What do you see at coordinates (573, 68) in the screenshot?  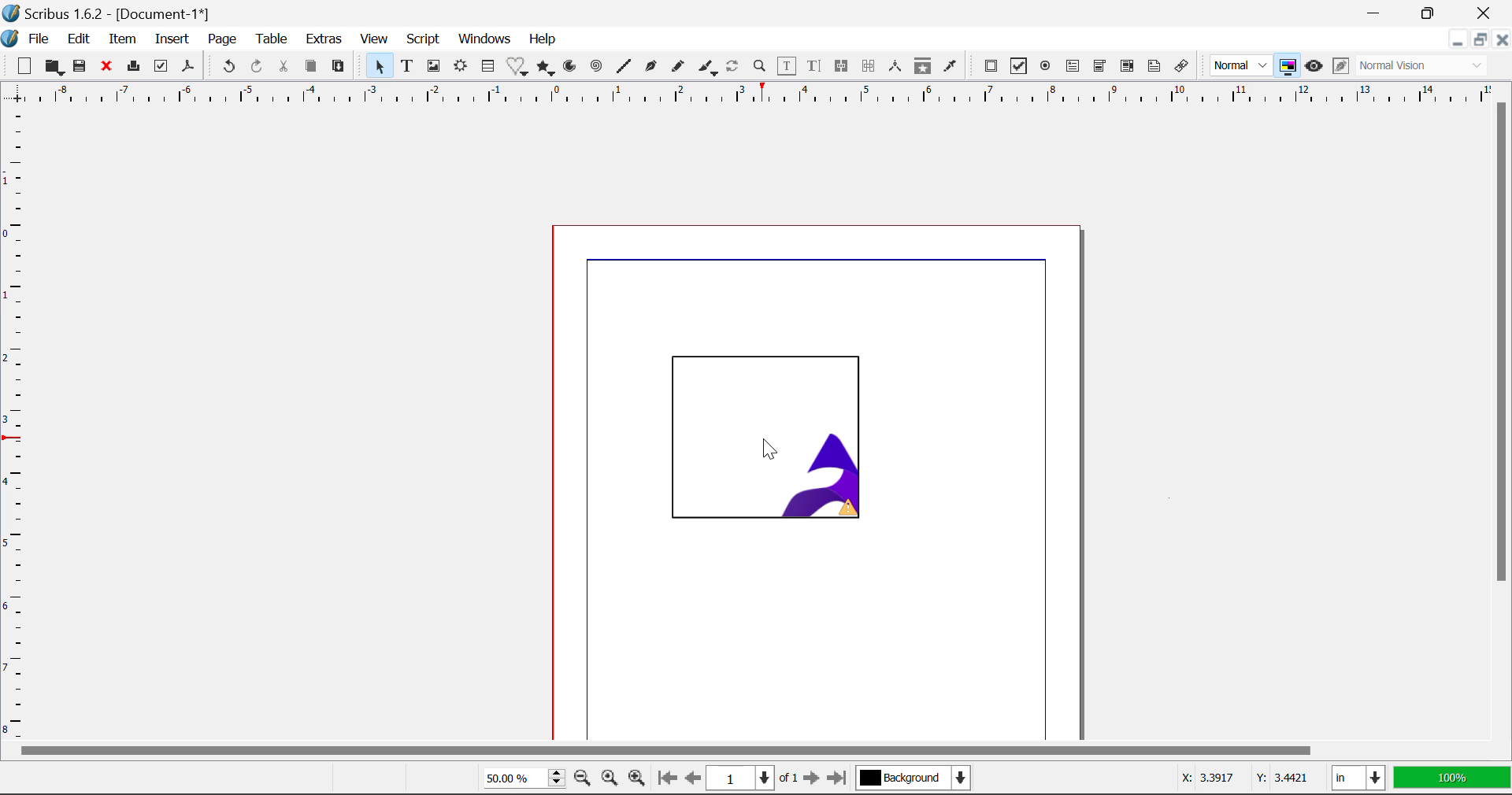 I see `Arc` at bounding box center [573, 68].